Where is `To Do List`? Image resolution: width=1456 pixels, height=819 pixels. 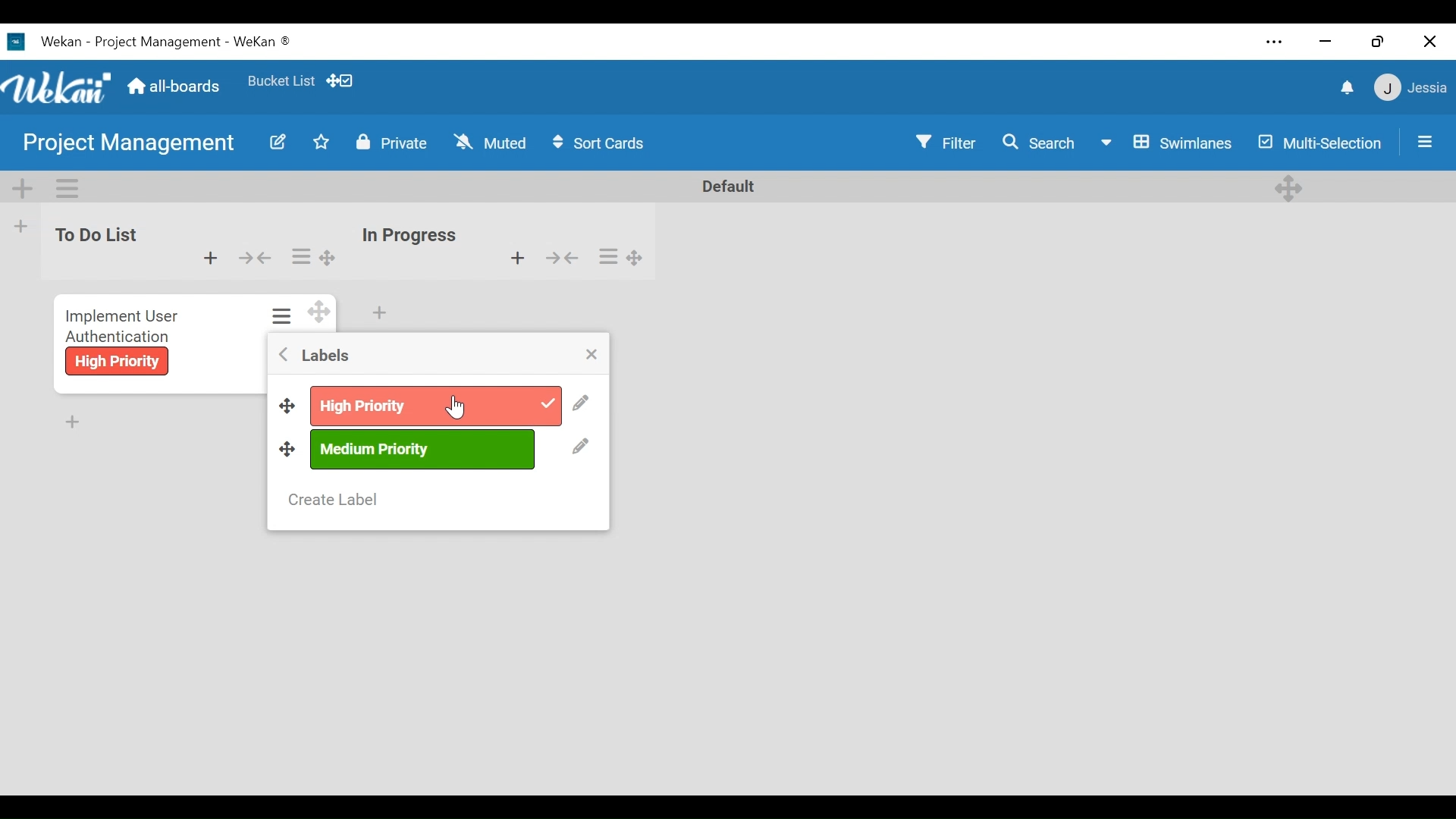 To Do List is located at coordinates (91, 236).